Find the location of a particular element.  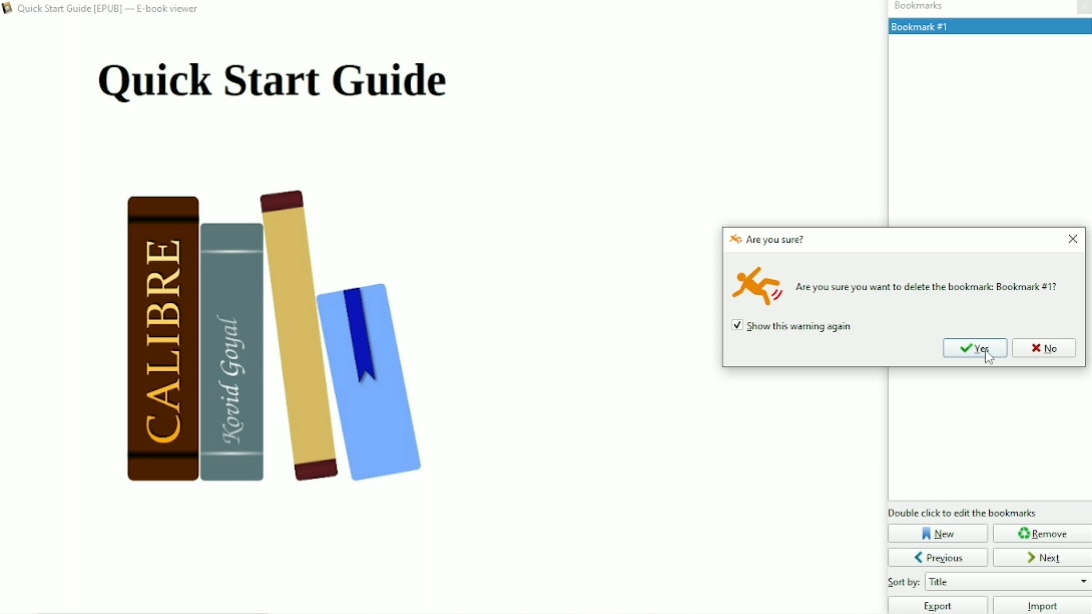

logo is located at coordinates (736, 239).